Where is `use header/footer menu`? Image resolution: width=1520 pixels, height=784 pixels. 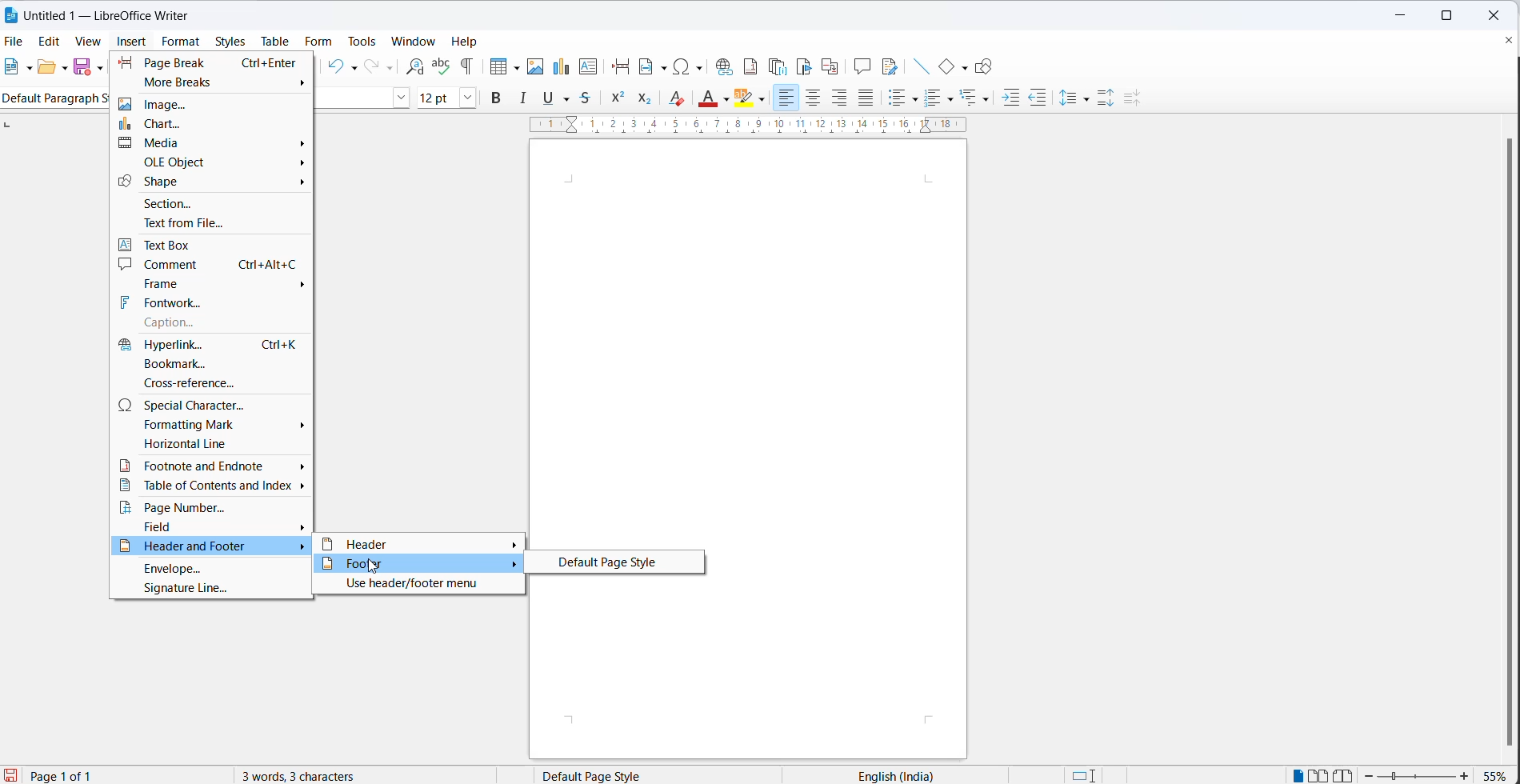
use header/footer menu is located at coordinates (422, 586).